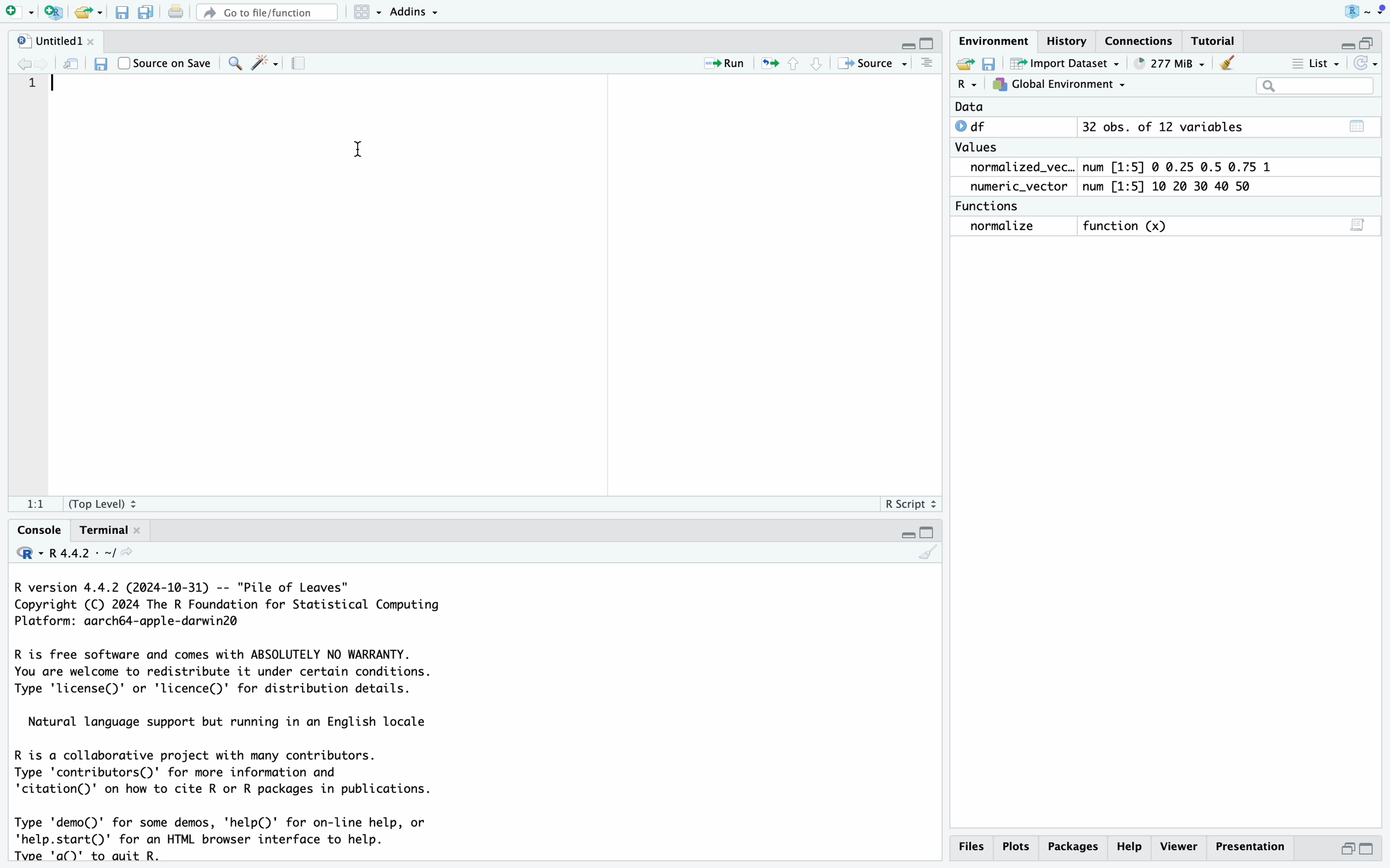 Image resolution: width=1390 pixels, height=868 pixels. What do you see at coordinates (51, 11) in the screenshot?
I see `new project` at bounding box center [51, 11].